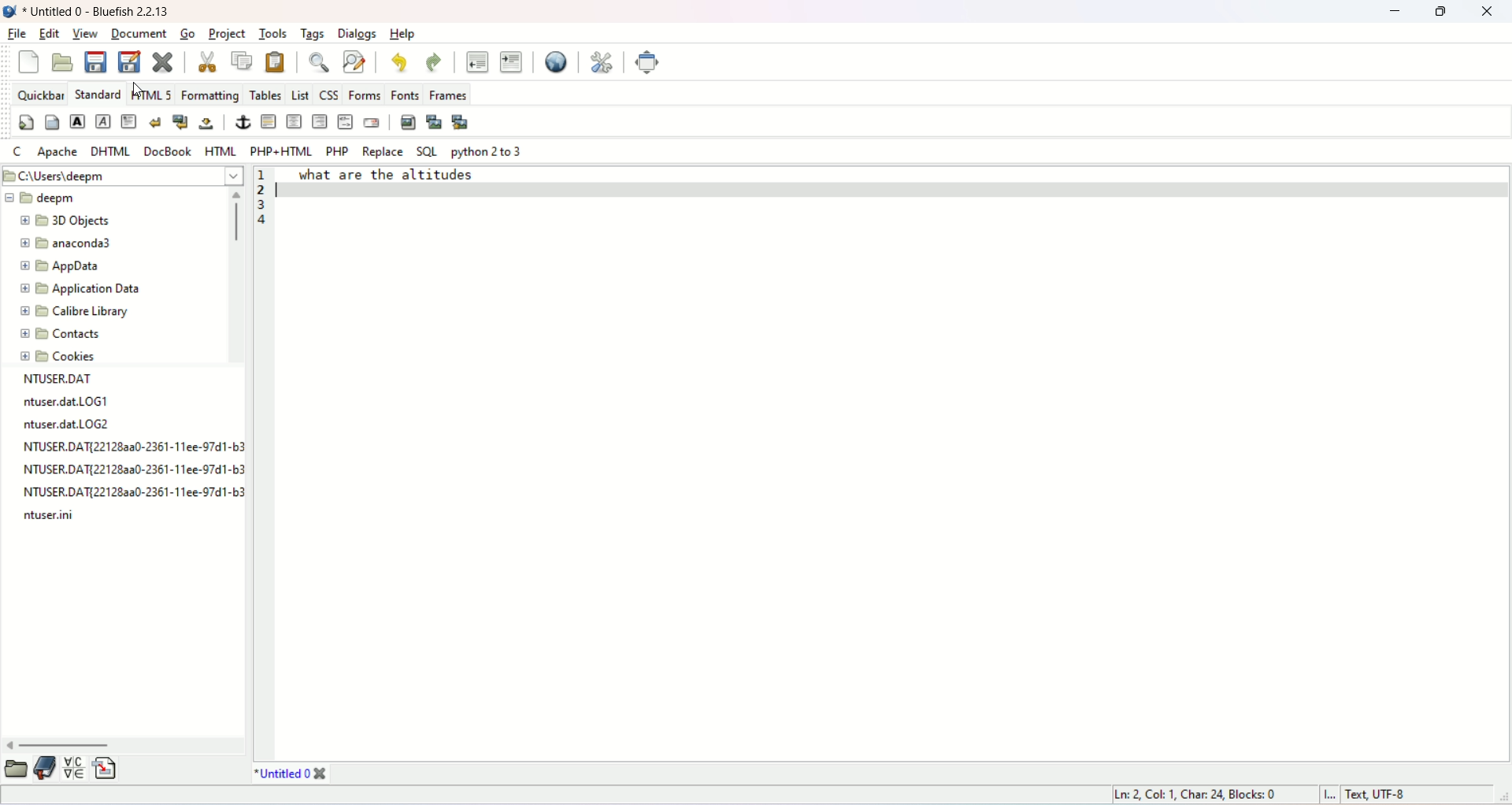 The image size is (1512, 805). What do you see at coordinates (154, 122) in the screenshot?
I see `break` at bounding box center [154, 122].